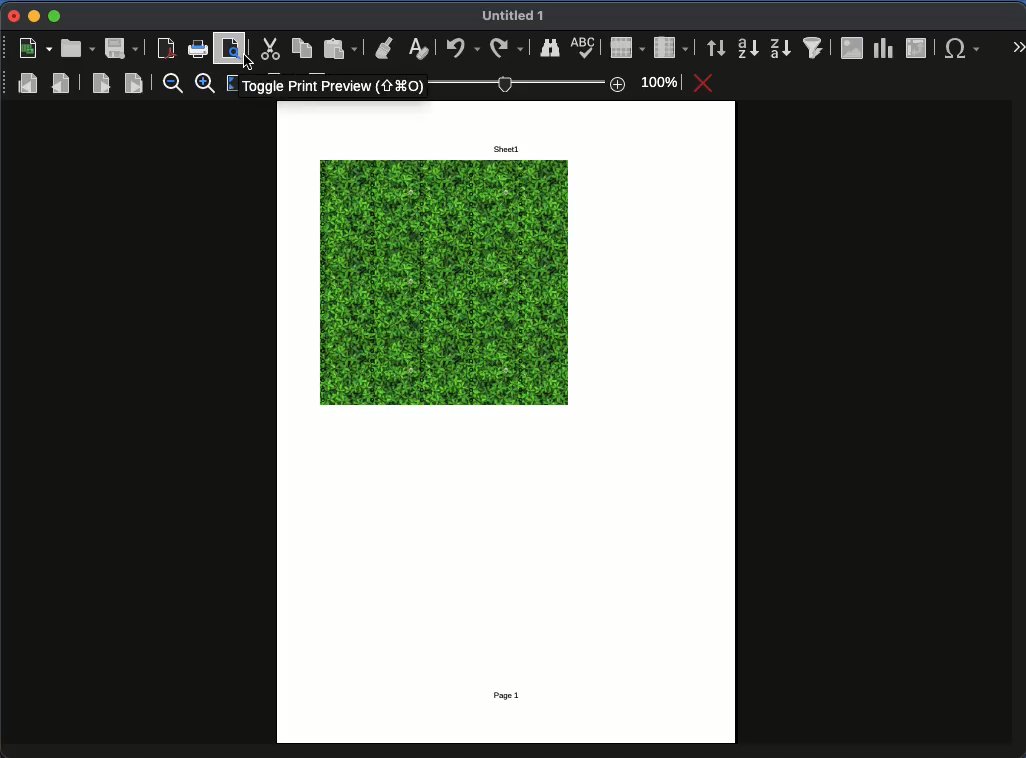 The height and width of the screenshot is (758, 1026). What do you see at coordinates (198, 49) in the screenshot?
I see `print` at bounding box center [198, 49].